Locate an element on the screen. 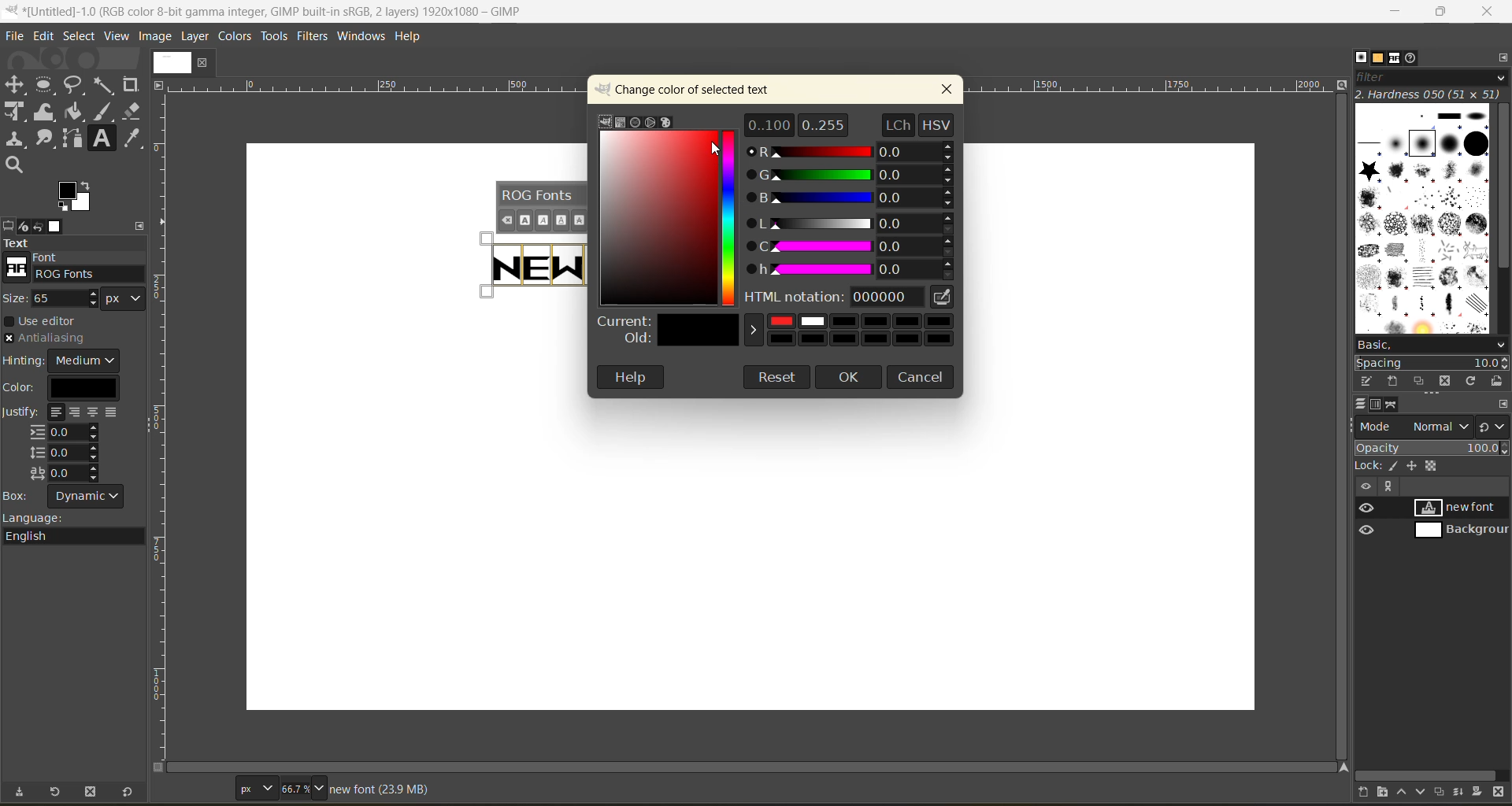 Image resolution: width=1512 pixels, height=806 pixels. image is located at coordinates (157, 38).